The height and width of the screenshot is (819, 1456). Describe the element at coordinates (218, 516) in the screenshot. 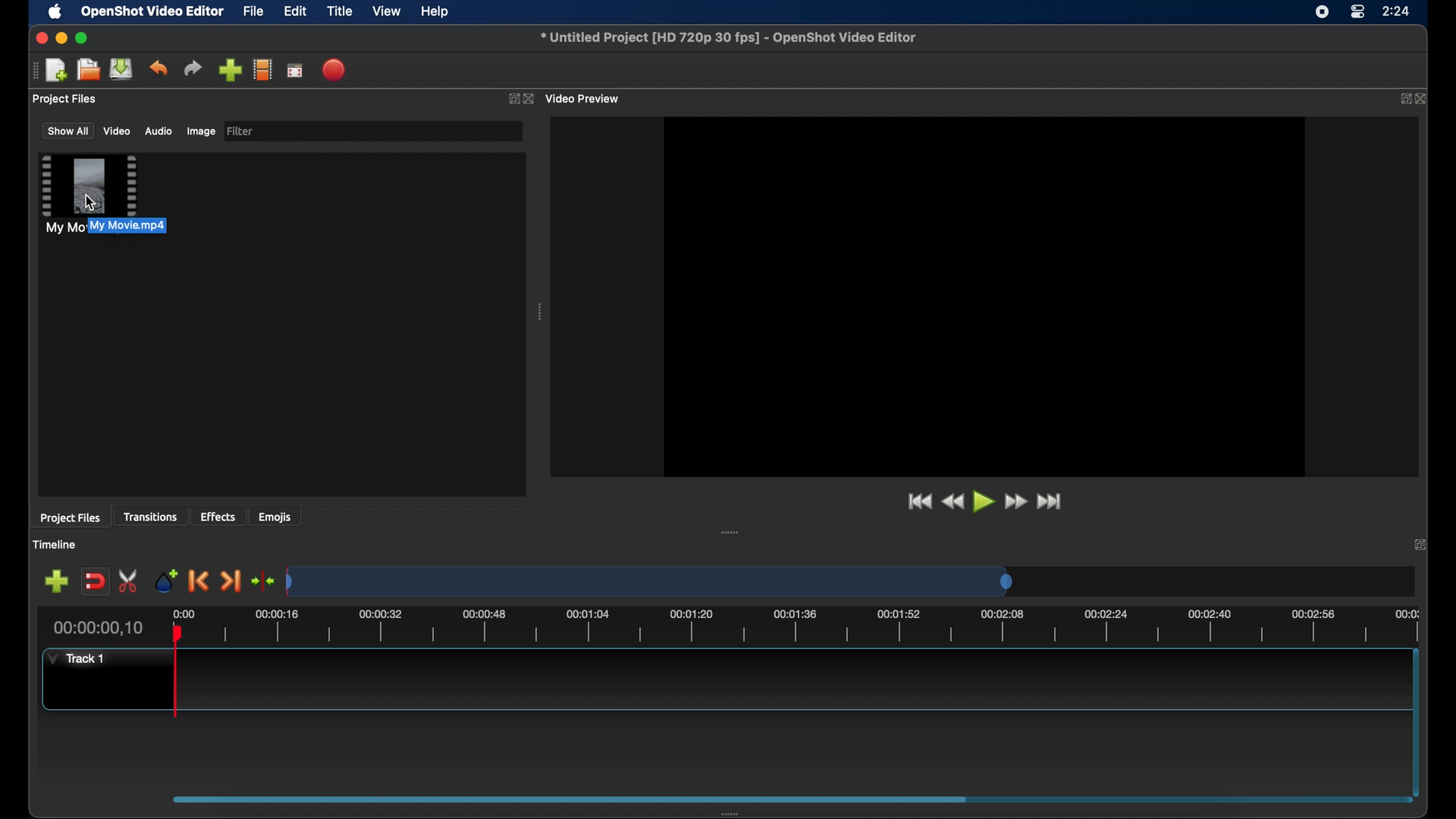

I see `effects` at that location.